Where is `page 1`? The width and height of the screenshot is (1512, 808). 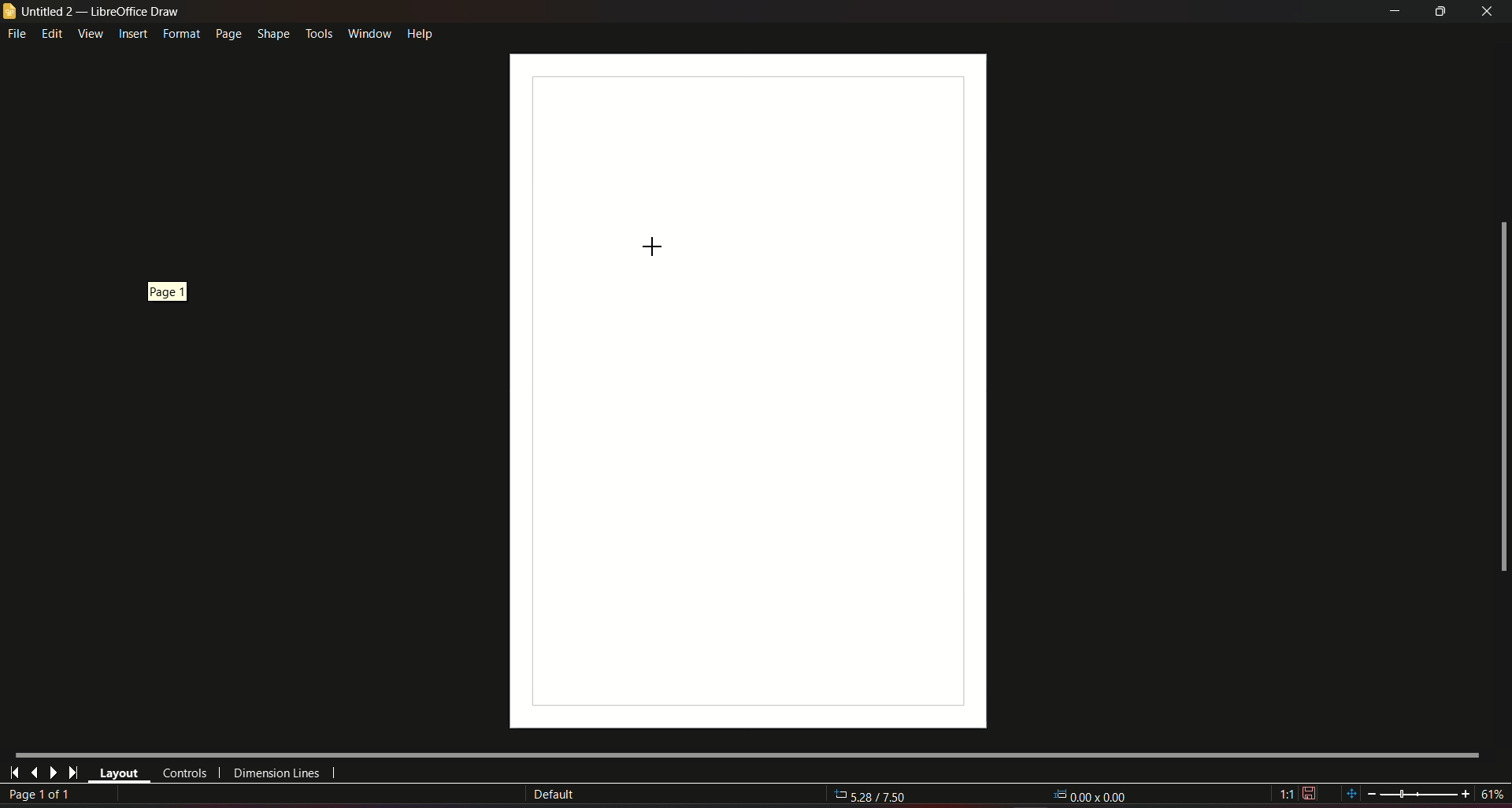 page 1 is located at coordinates (165, 291).